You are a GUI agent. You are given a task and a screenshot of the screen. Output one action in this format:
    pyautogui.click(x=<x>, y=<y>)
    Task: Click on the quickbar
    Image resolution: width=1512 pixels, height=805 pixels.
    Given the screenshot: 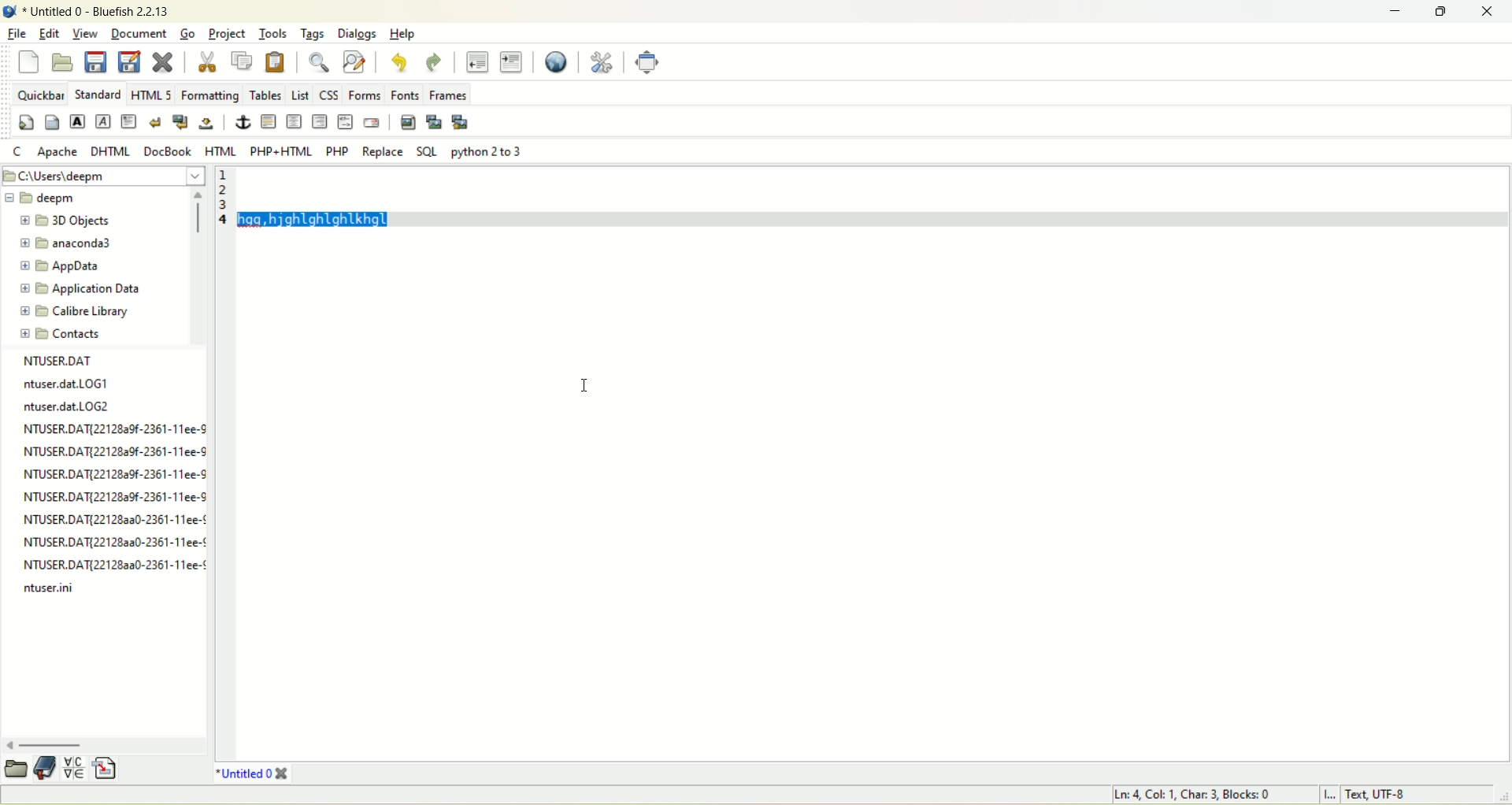 What is the action you would take?
    pyautogui.click(x=40, y=95)
    